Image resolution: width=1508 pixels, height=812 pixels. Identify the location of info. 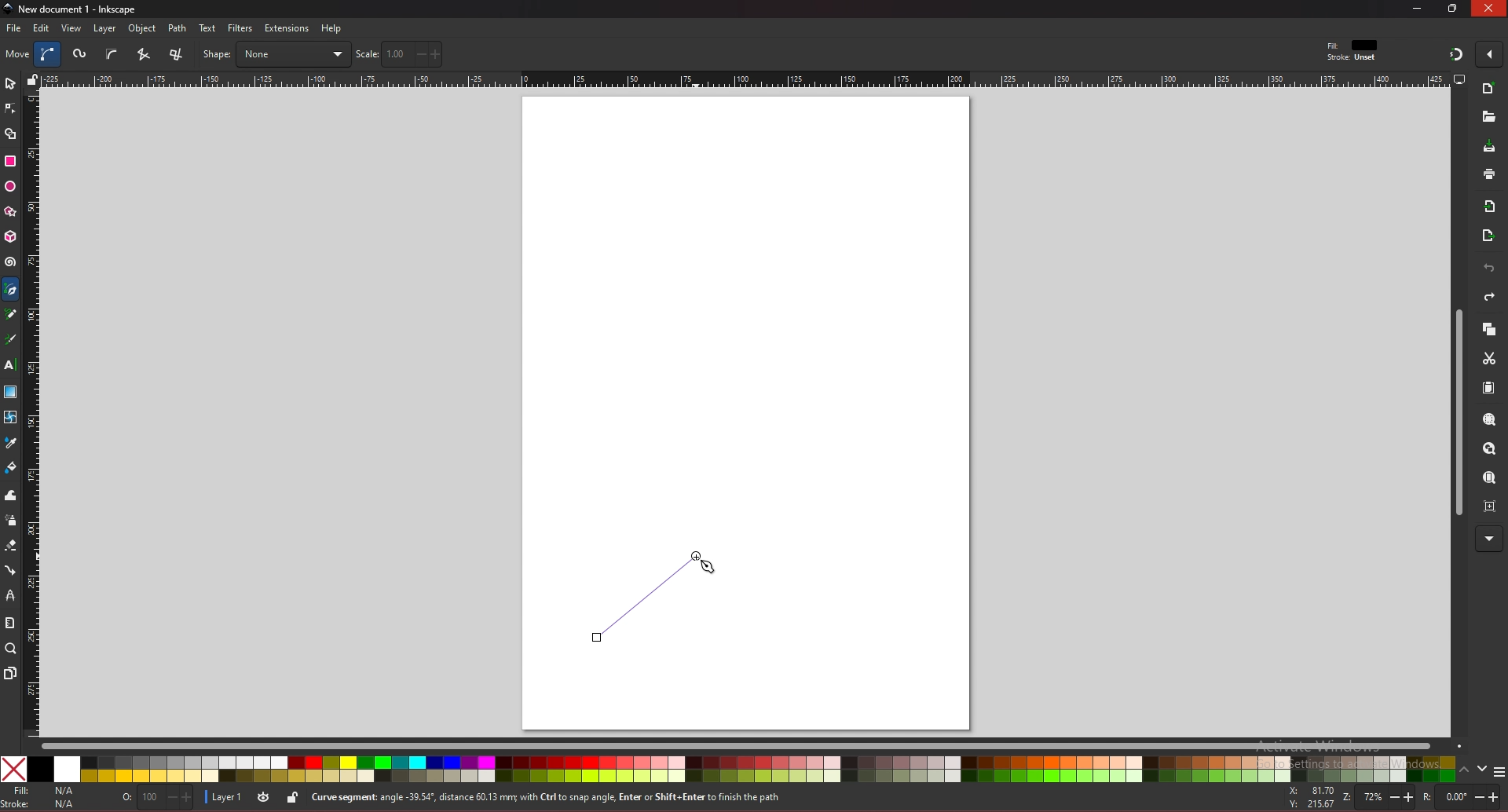
(588, 798).